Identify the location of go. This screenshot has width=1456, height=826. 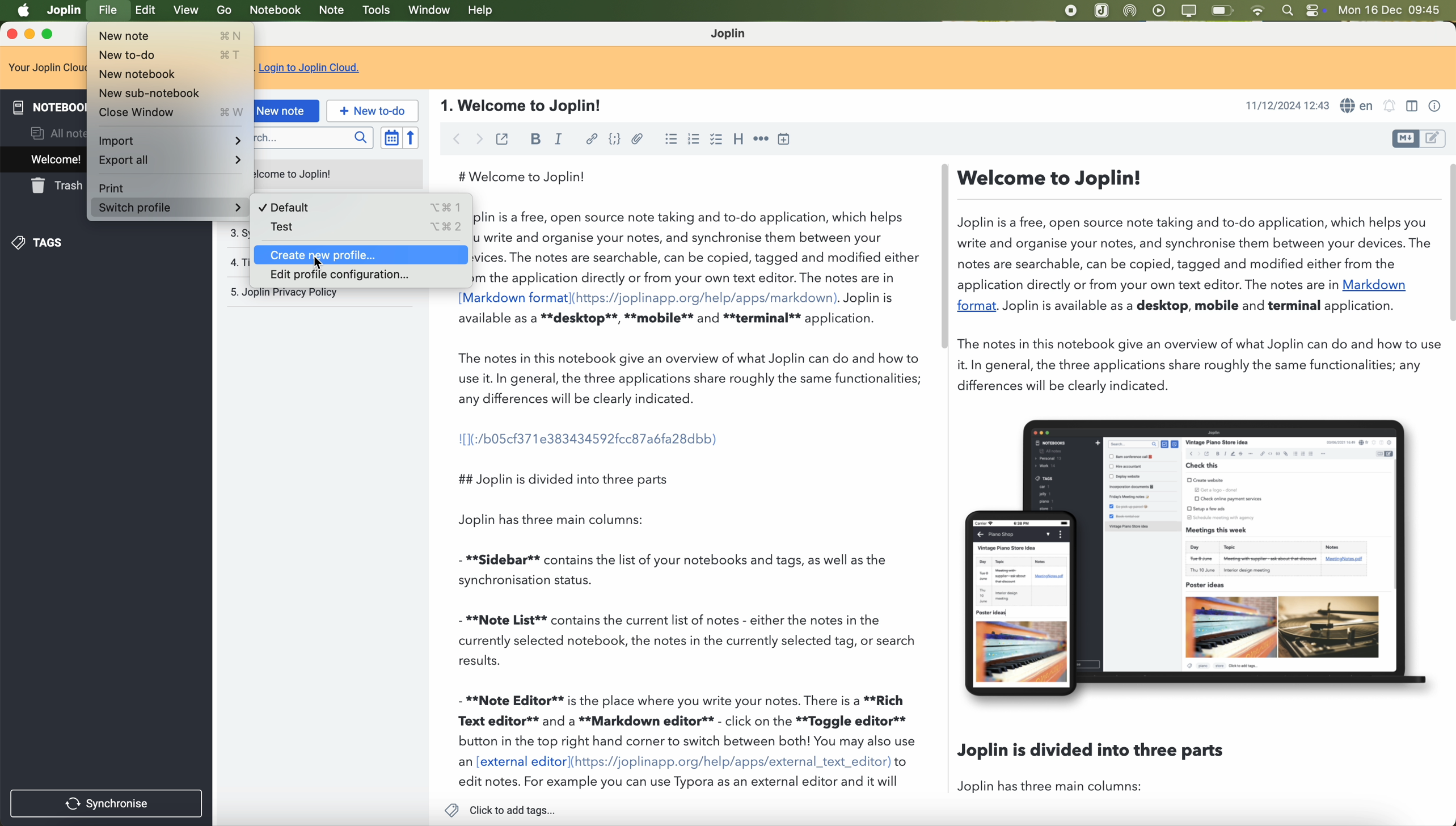
(224, 11).